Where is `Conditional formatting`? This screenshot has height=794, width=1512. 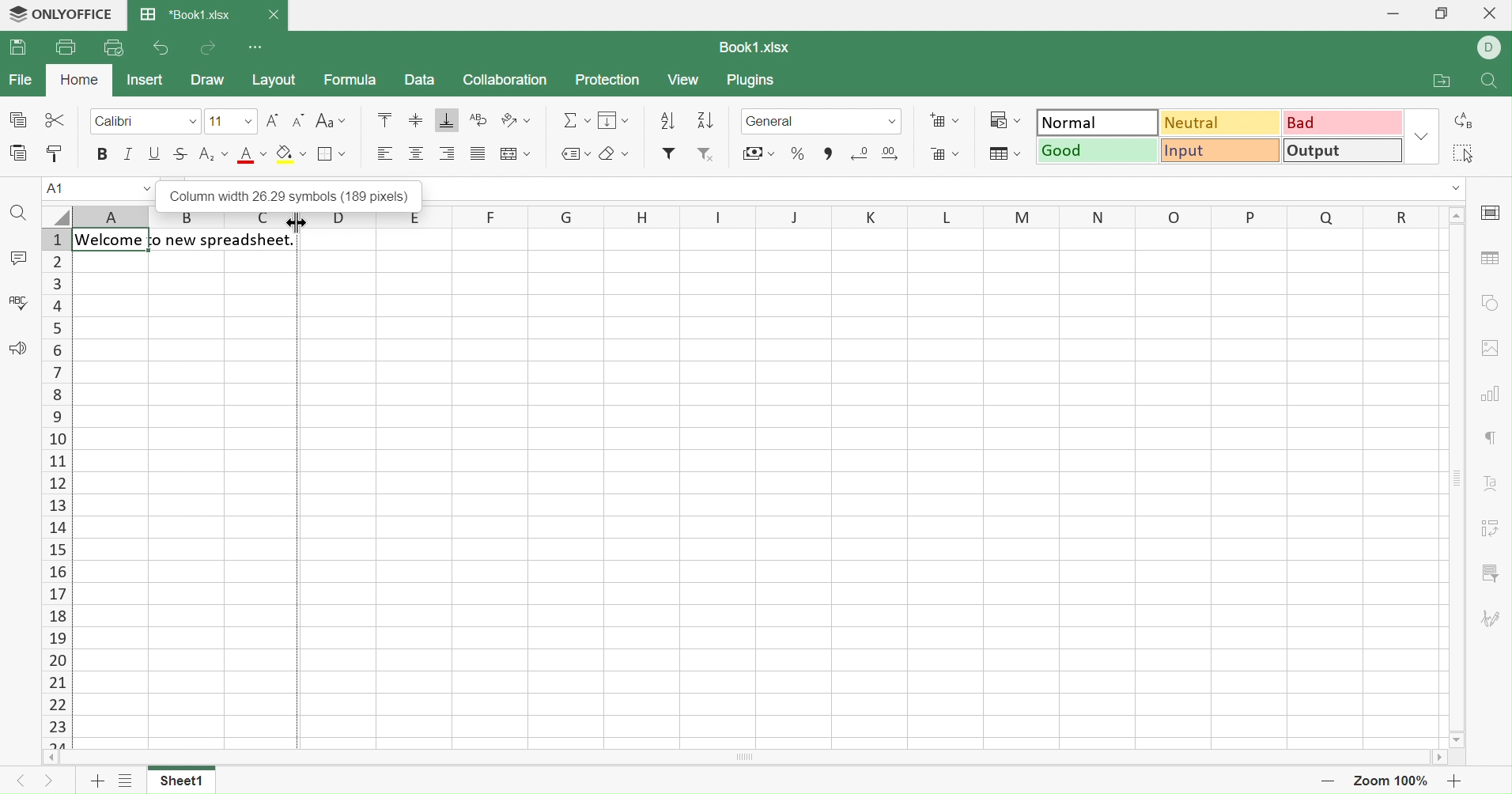
Conditional formatting is located at coordinates (1004, 119).